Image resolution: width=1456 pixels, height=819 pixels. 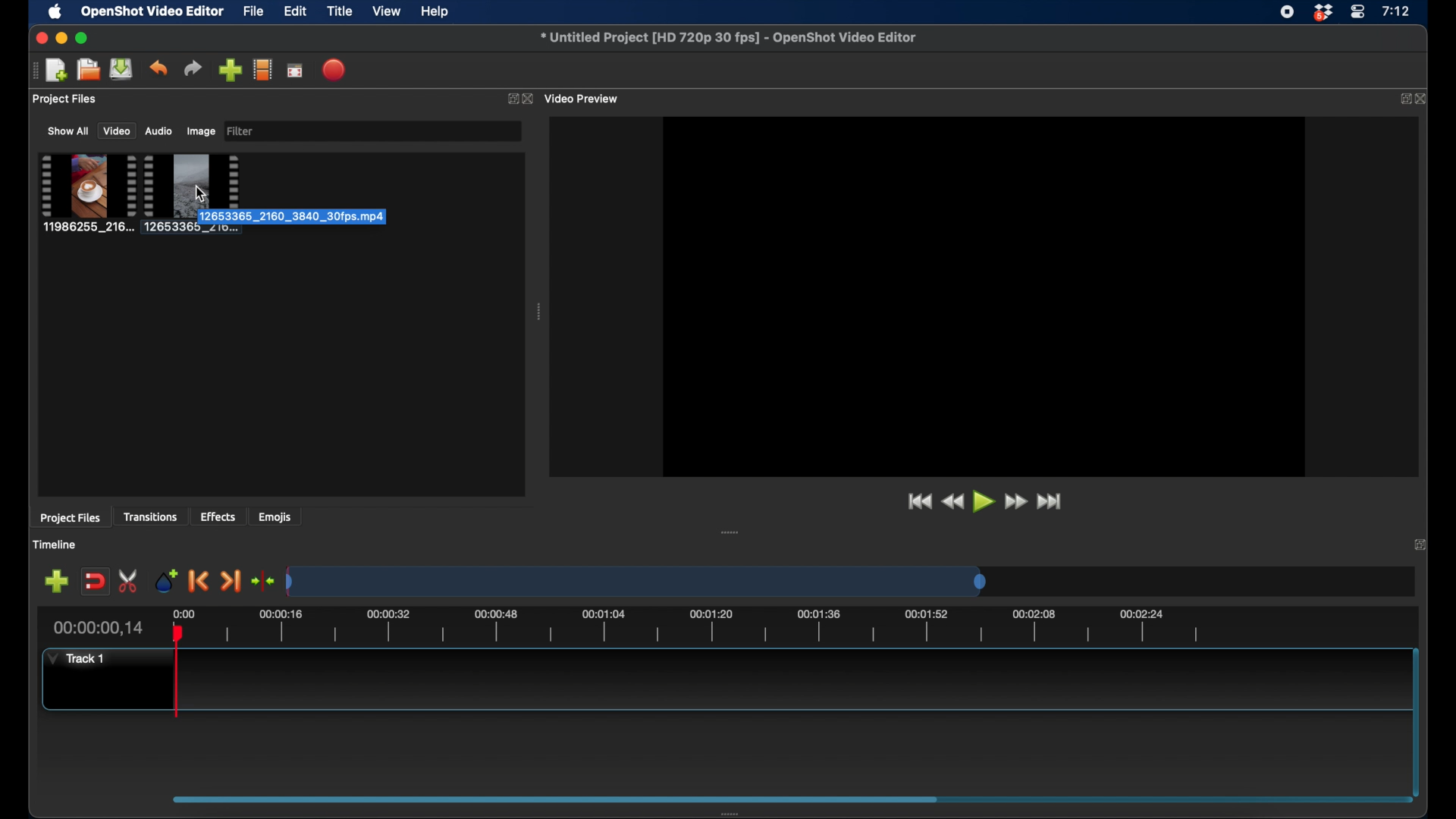 I want to click on clip, so click(x=193, y=193).